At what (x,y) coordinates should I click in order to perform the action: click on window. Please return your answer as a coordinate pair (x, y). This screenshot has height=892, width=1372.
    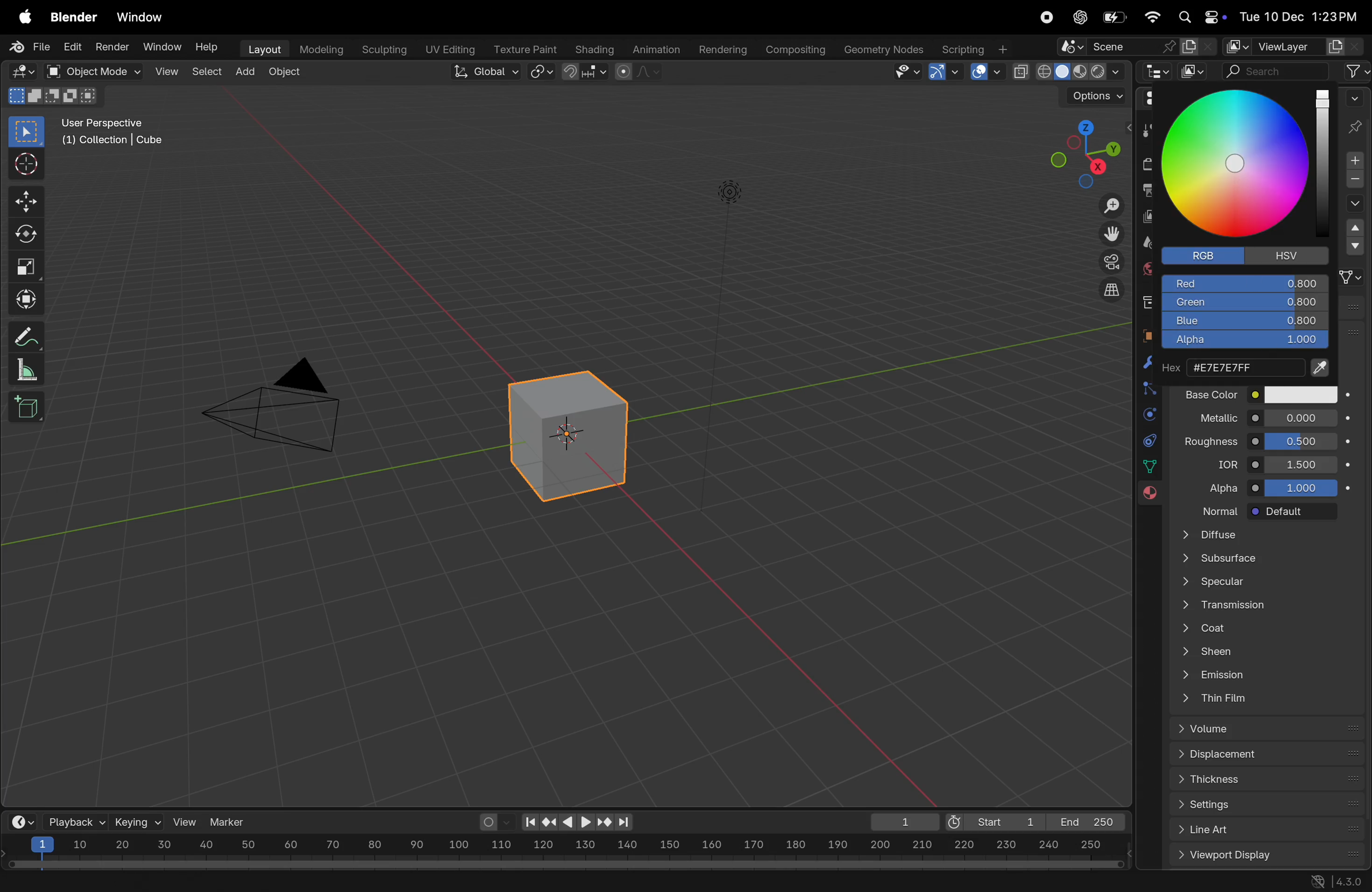
    Looking at the image, I should click on (144, 18).